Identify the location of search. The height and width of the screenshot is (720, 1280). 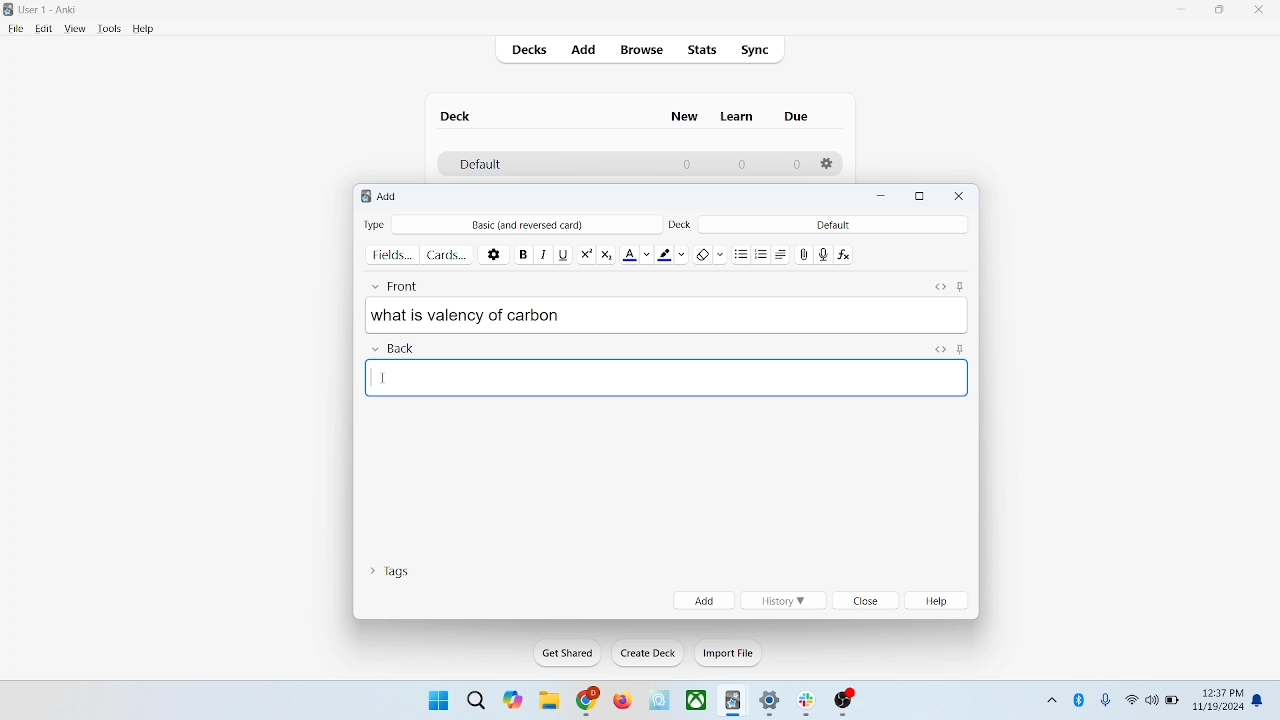
(477, 699).